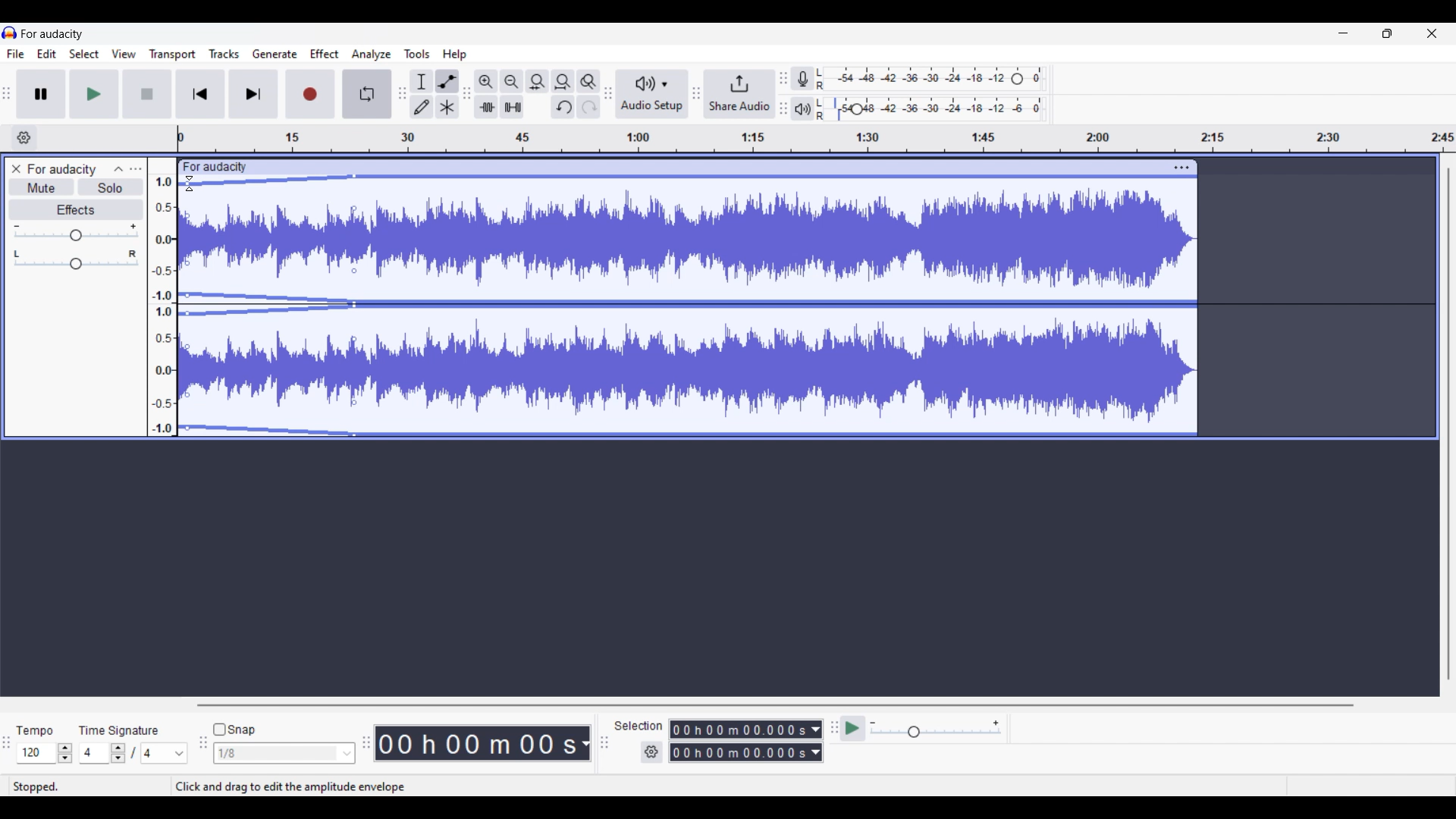  Describe the element at coordinates (95, 94) in the screenshot. I see `Play/Play once` at that location.